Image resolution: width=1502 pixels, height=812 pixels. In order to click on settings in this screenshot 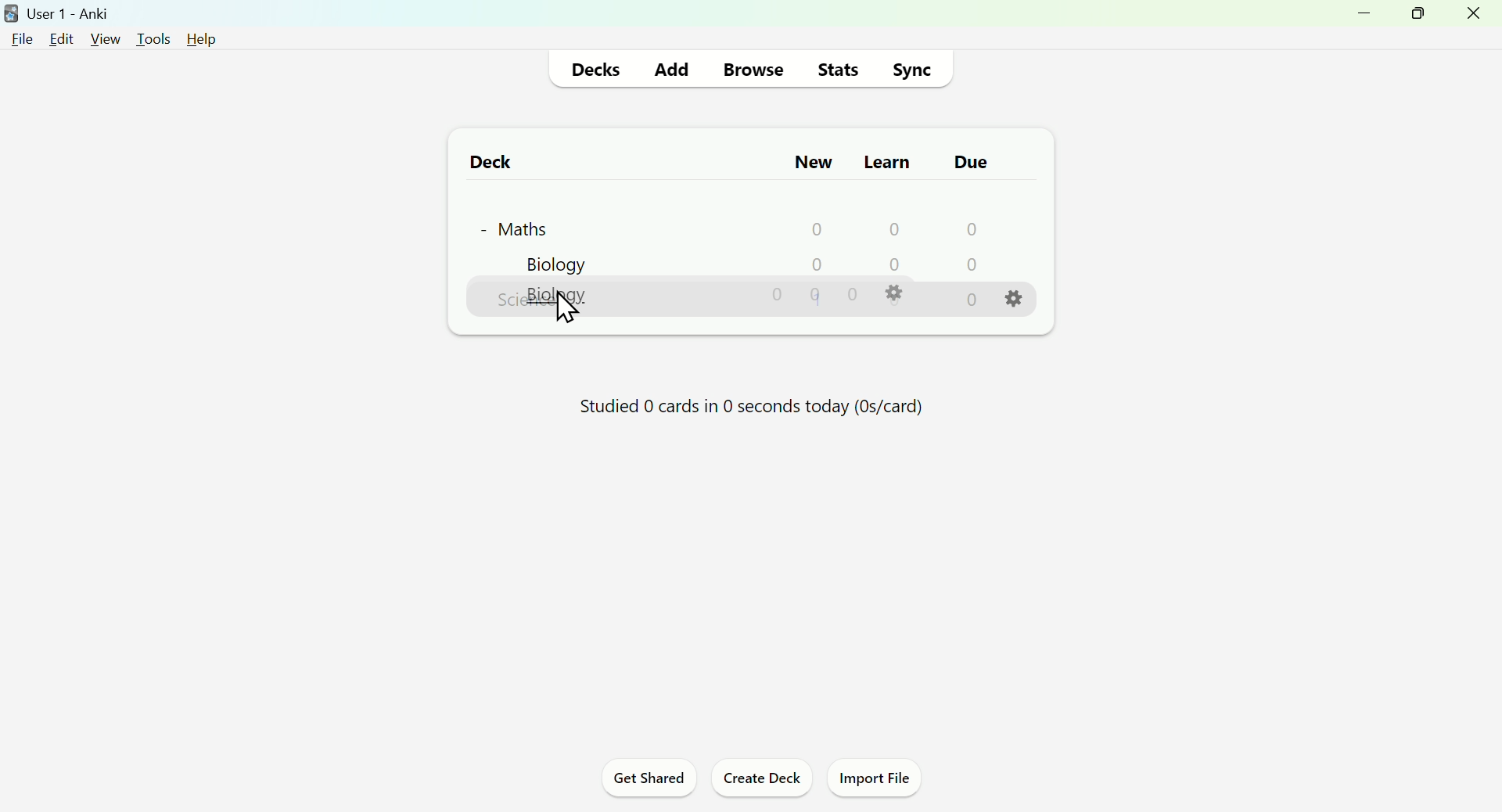, I will do `click(893, 300)`.